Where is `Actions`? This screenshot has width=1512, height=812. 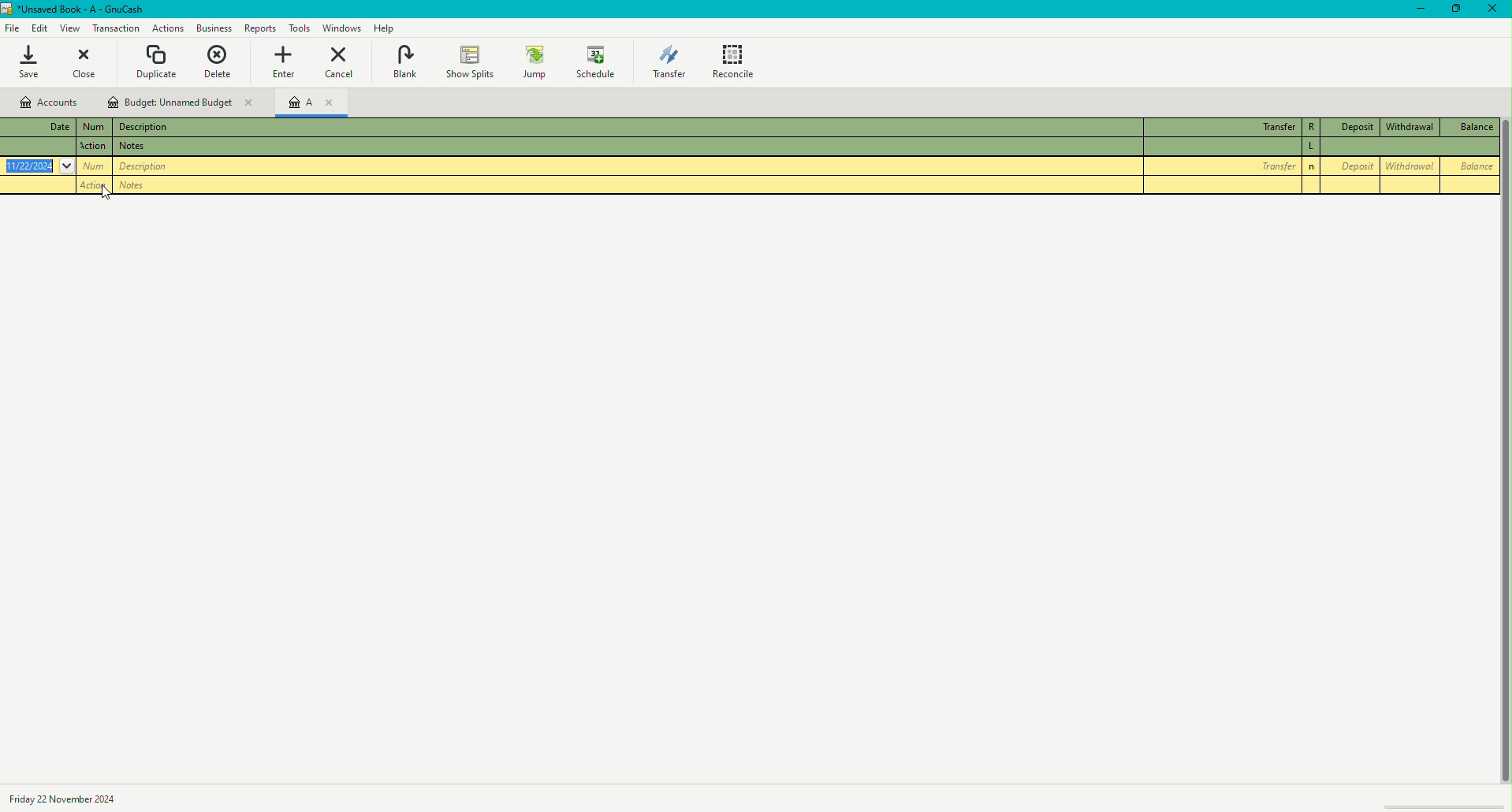 Actions is located at coordinates (117, 28).